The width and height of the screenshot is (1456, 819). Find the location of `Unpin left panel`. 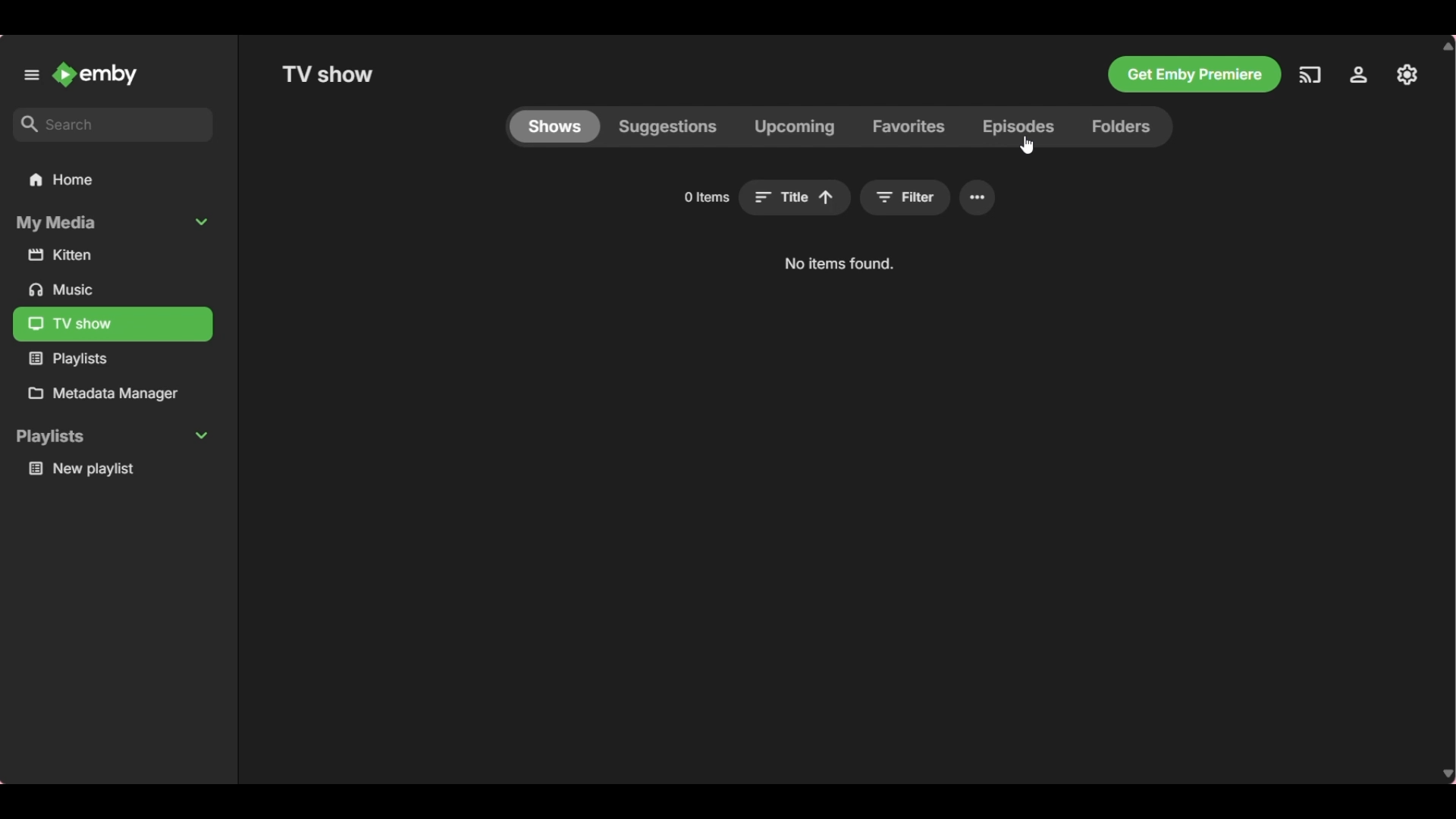

Unpin left panel is located at coordinates (32, 75).